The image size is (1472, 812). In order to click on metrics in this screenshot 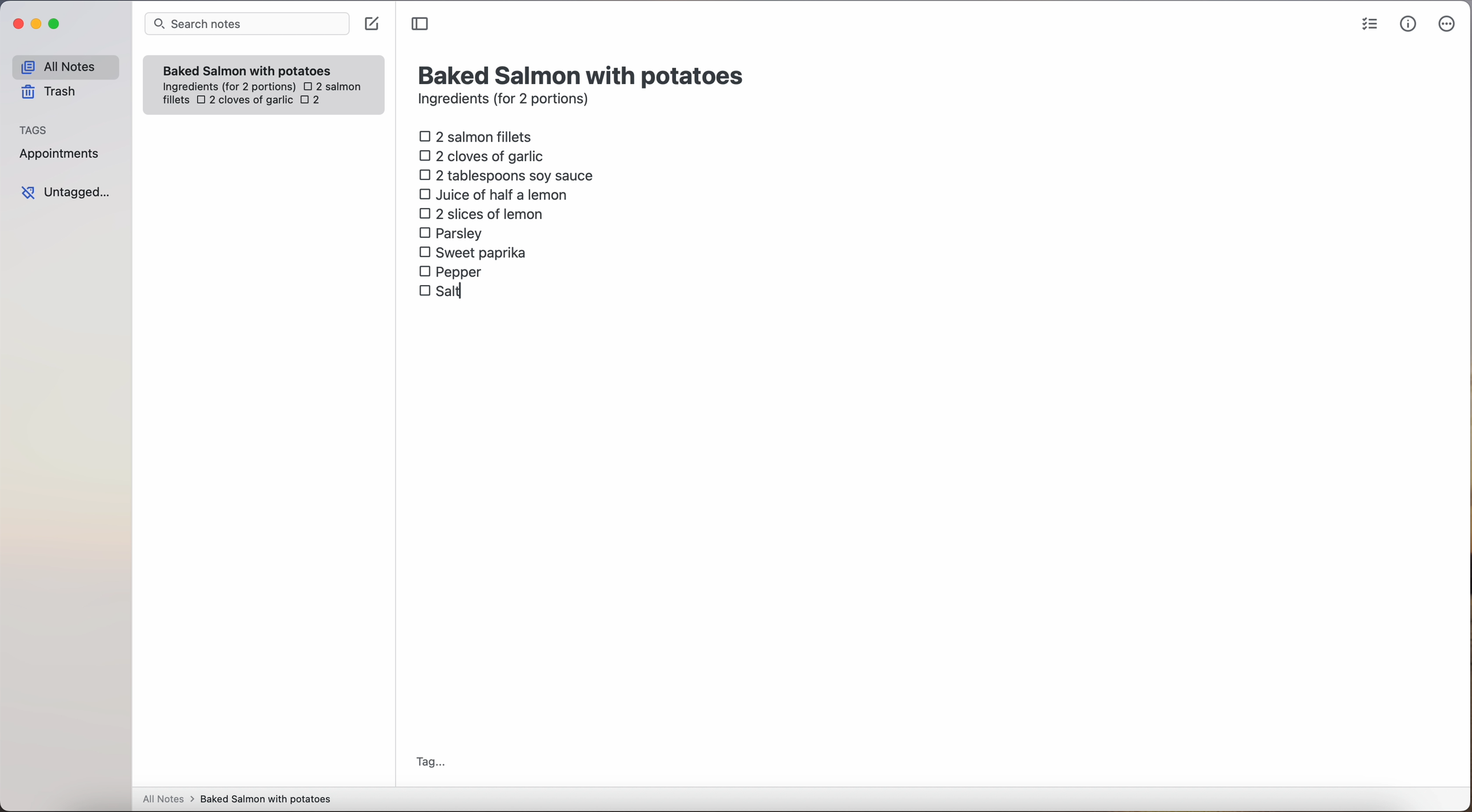, I will do `click(1409, 23)`.